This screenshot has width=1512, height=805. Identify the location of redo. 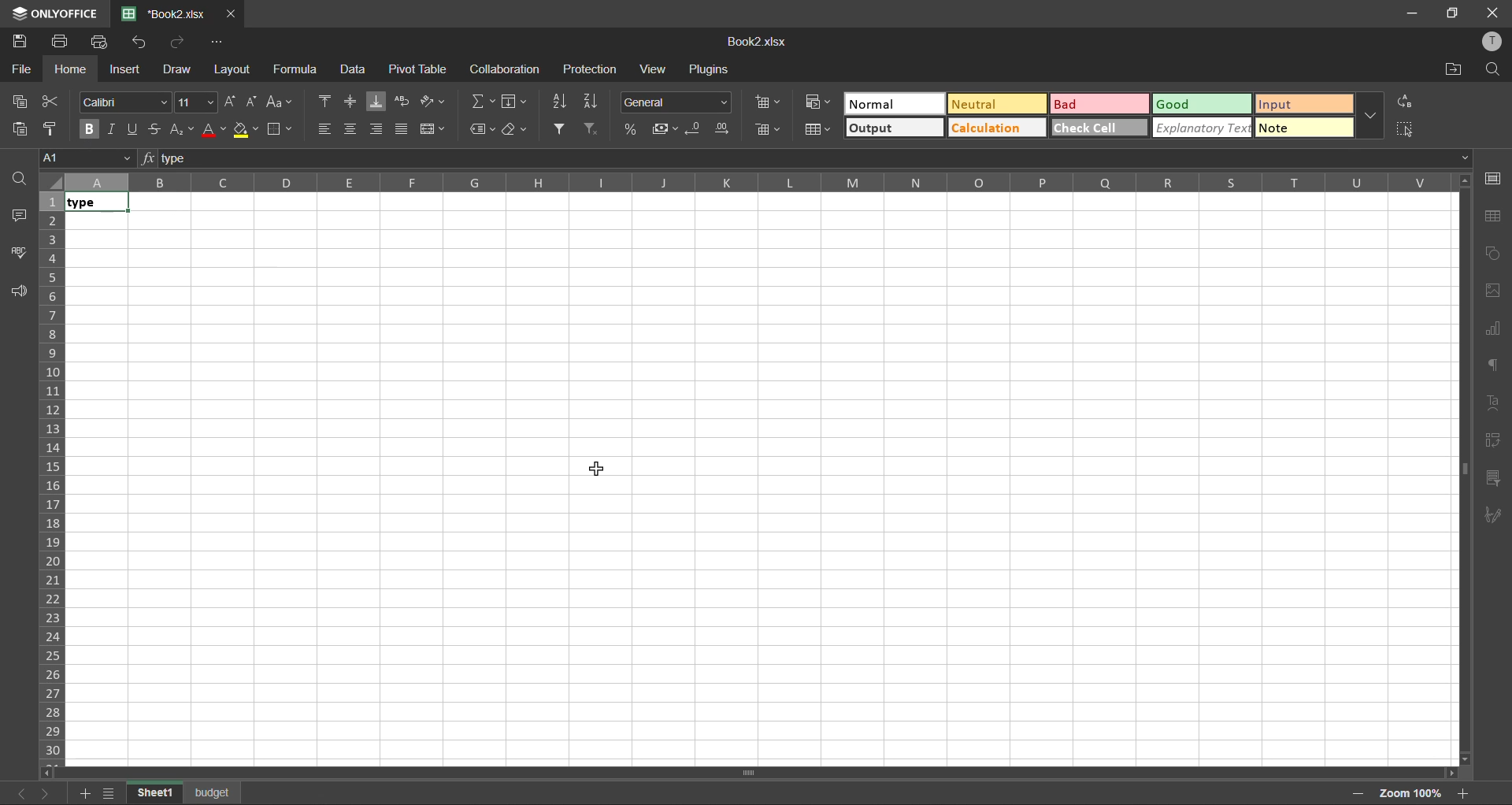
(180, 43).